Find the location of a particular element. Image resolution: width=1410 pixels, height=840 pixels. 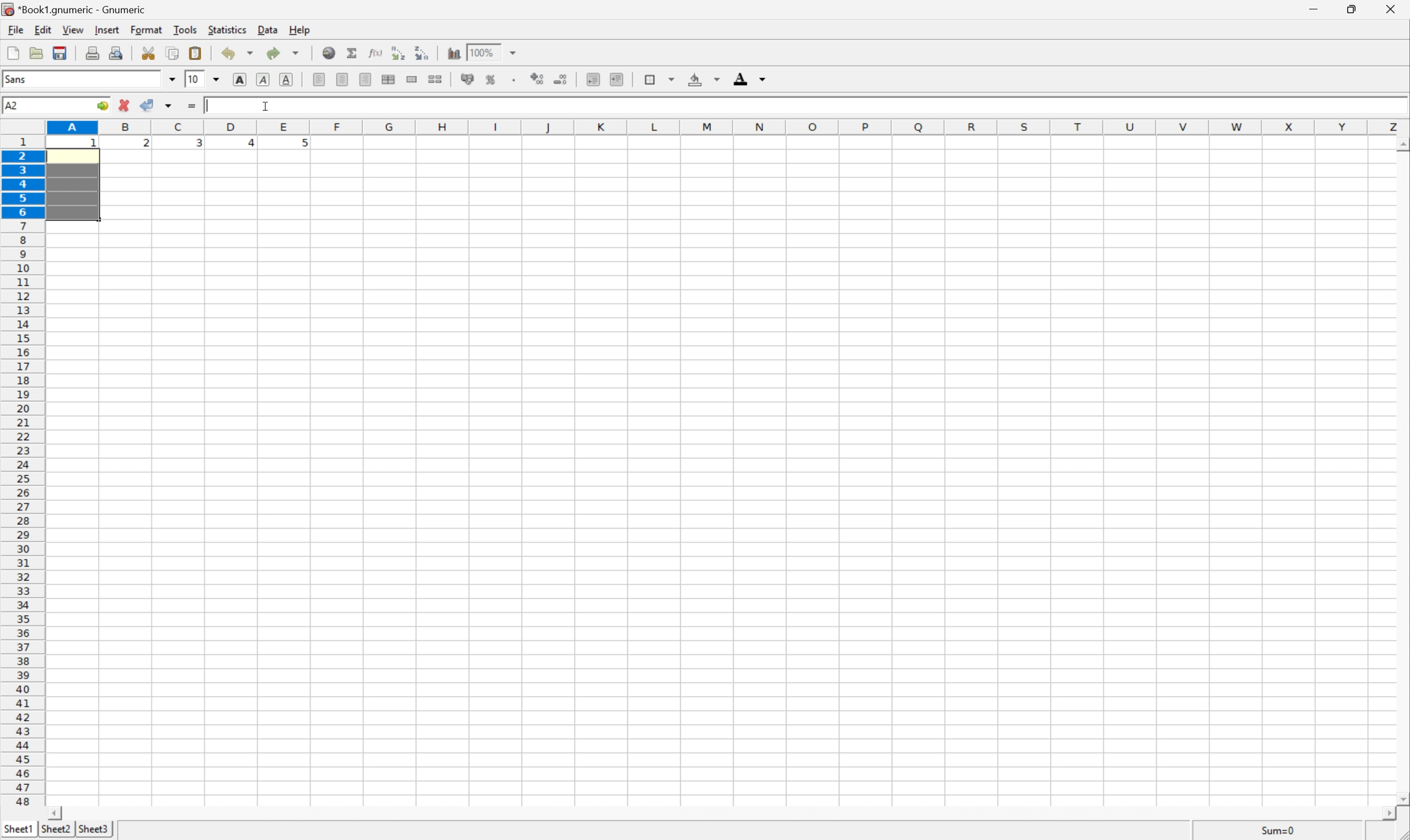

file is located at coordinates (11, 29).